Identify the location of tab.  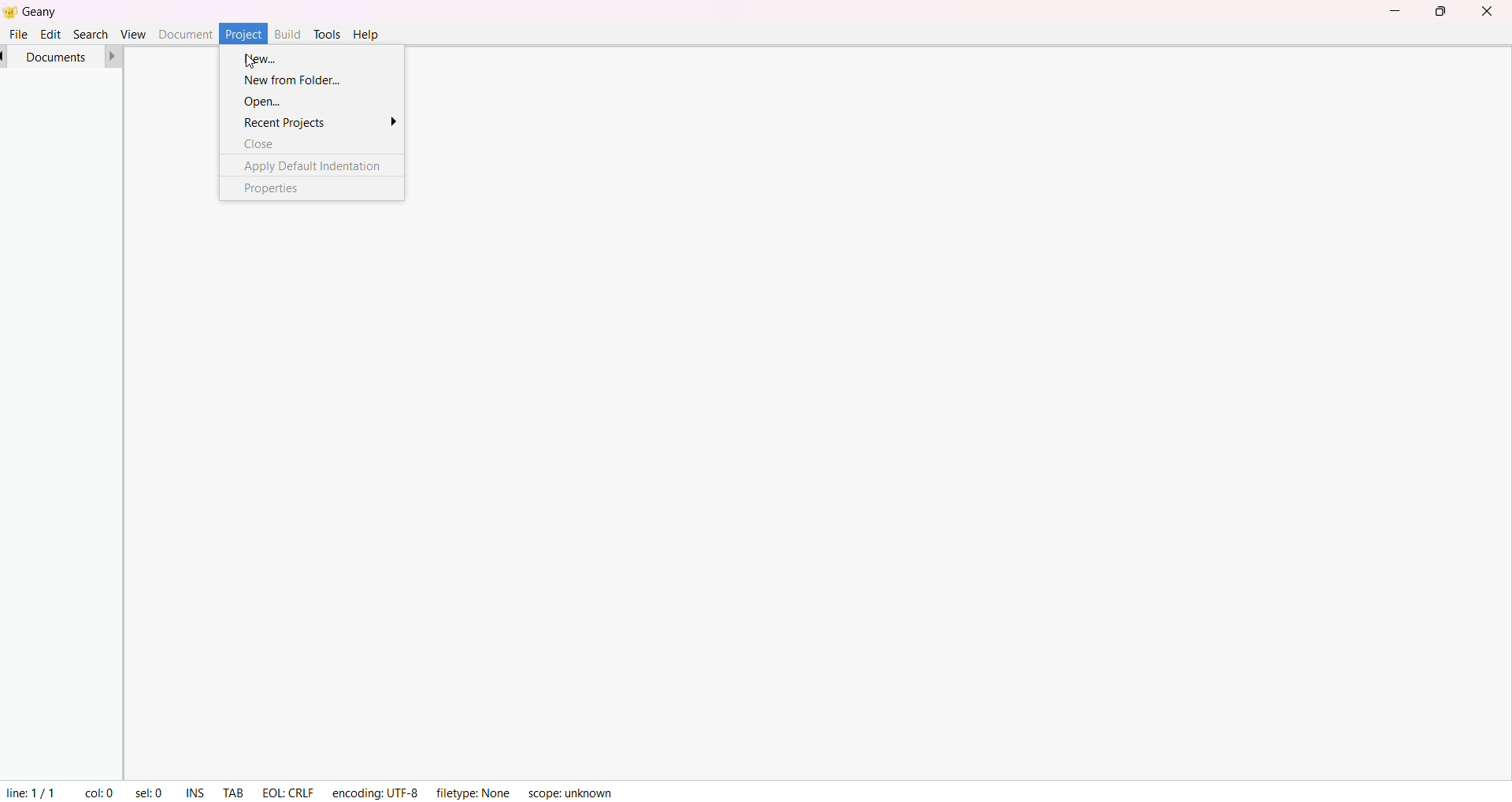
(234, 794).